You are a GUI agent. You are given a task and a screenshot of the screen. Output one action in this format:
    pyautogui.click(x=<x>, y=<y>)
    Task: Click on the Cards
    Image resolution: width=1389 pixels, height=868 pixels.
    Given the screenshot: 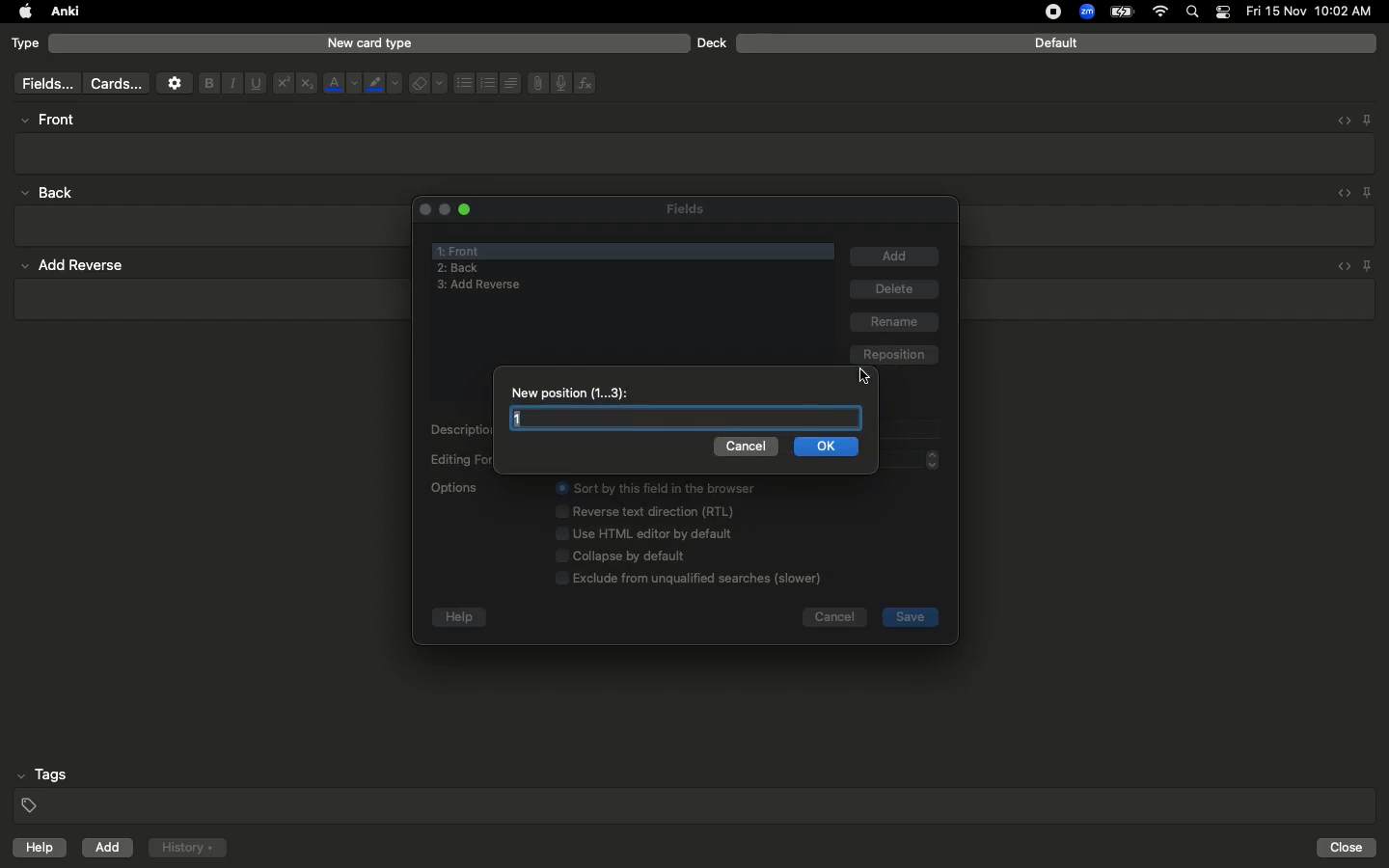 What is the action you would take?
    pyautogui.click(x=116, y=84)
    